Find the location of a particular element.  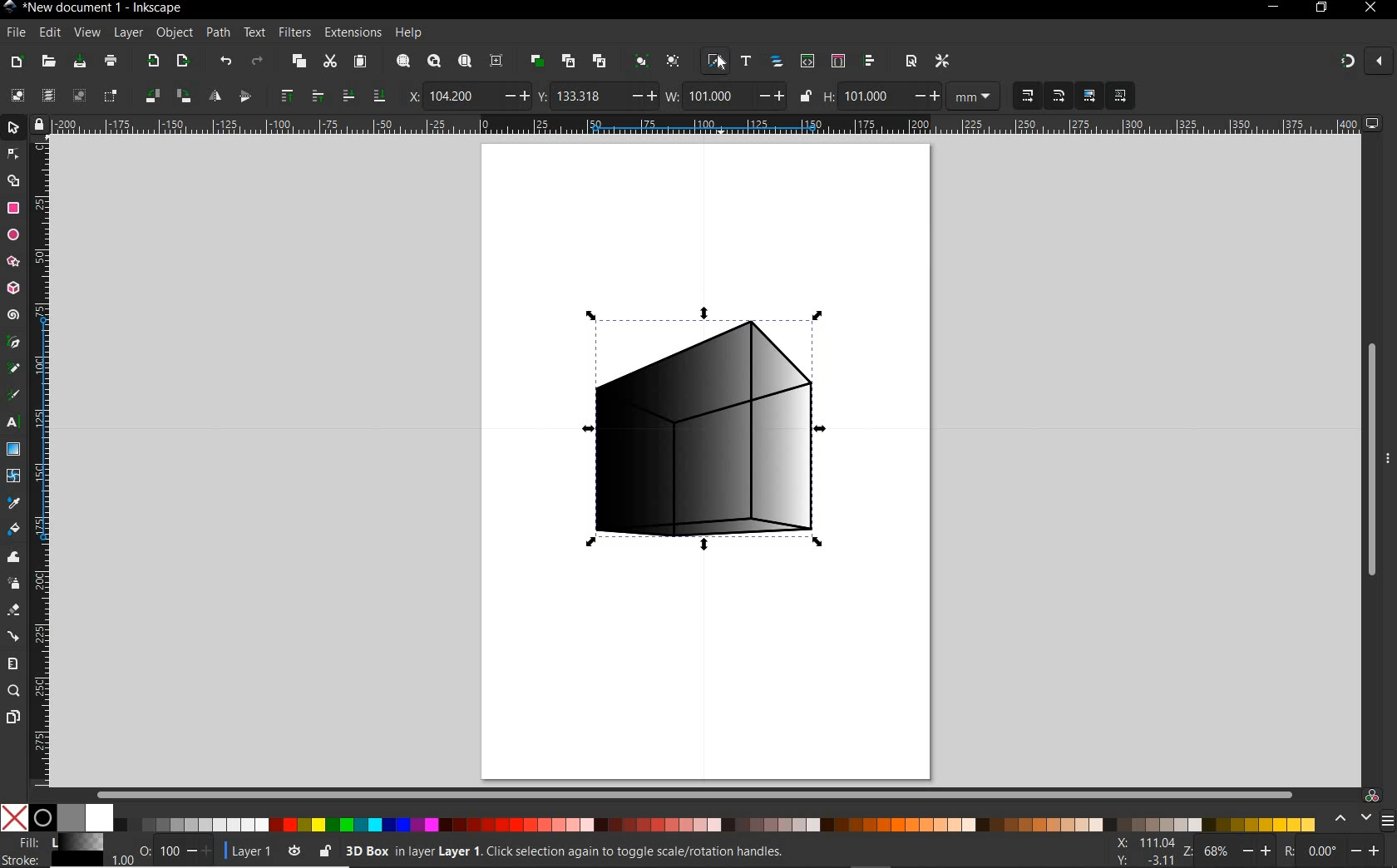

OPEN TEXT is located at coordinates (748, 62).